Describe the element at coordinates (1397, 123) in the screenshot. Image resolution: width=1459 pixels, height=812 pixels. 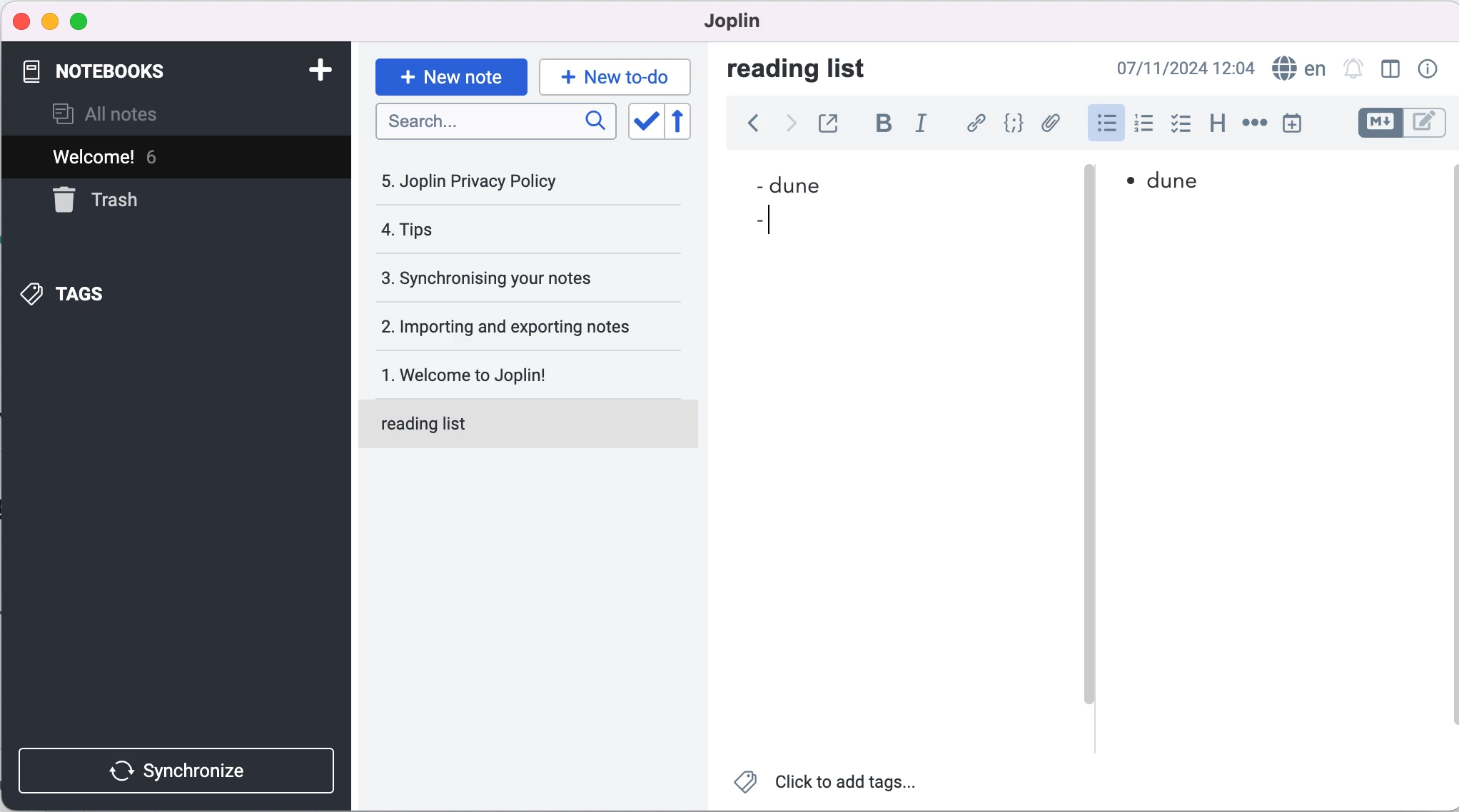
I see `toggle editors` at that location.